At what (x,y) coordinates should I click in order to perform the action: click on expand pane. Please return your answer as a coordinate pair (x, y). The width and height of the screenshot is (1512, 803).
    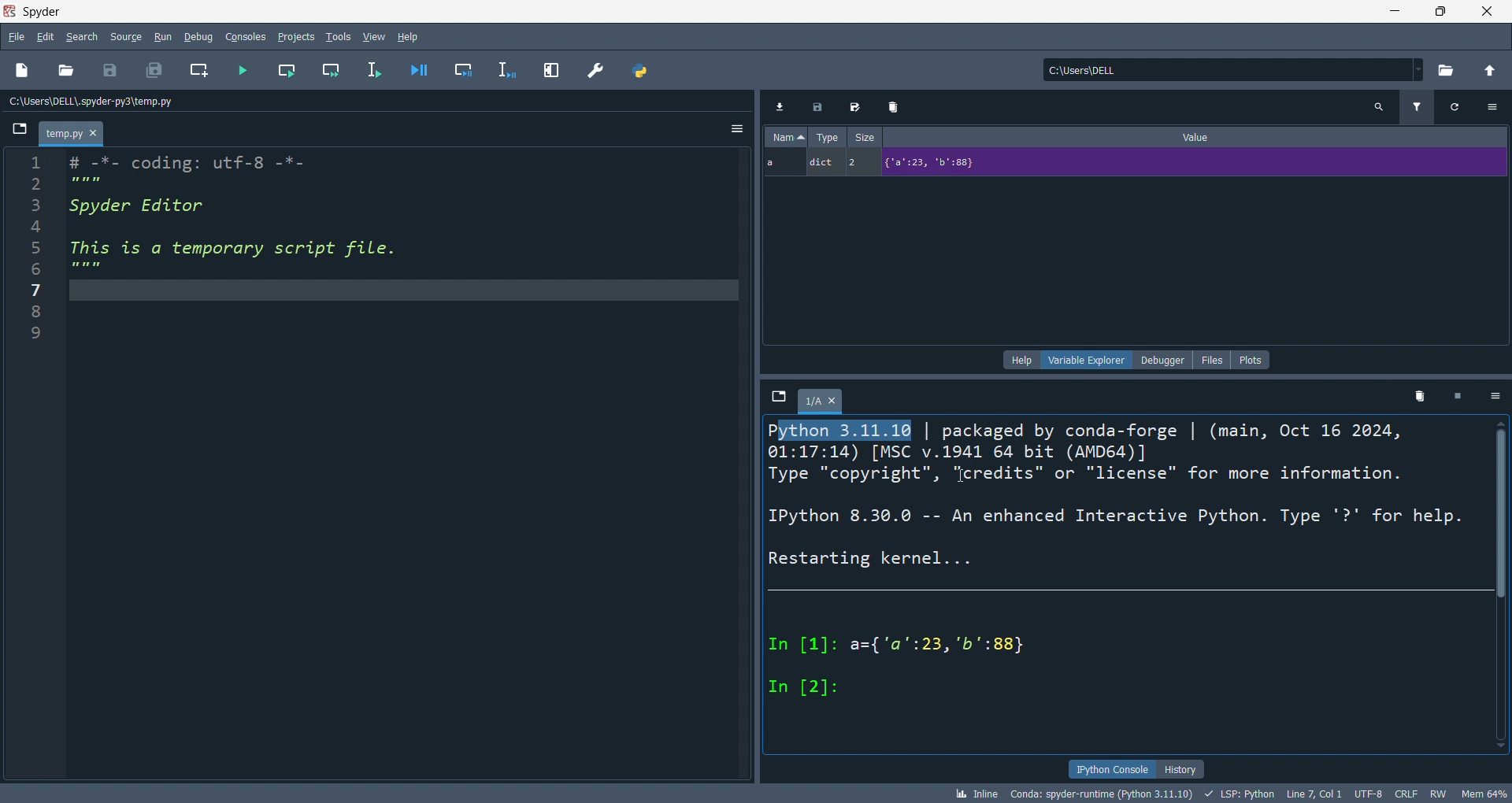
    Looking at the image, I should click on (553, 71).